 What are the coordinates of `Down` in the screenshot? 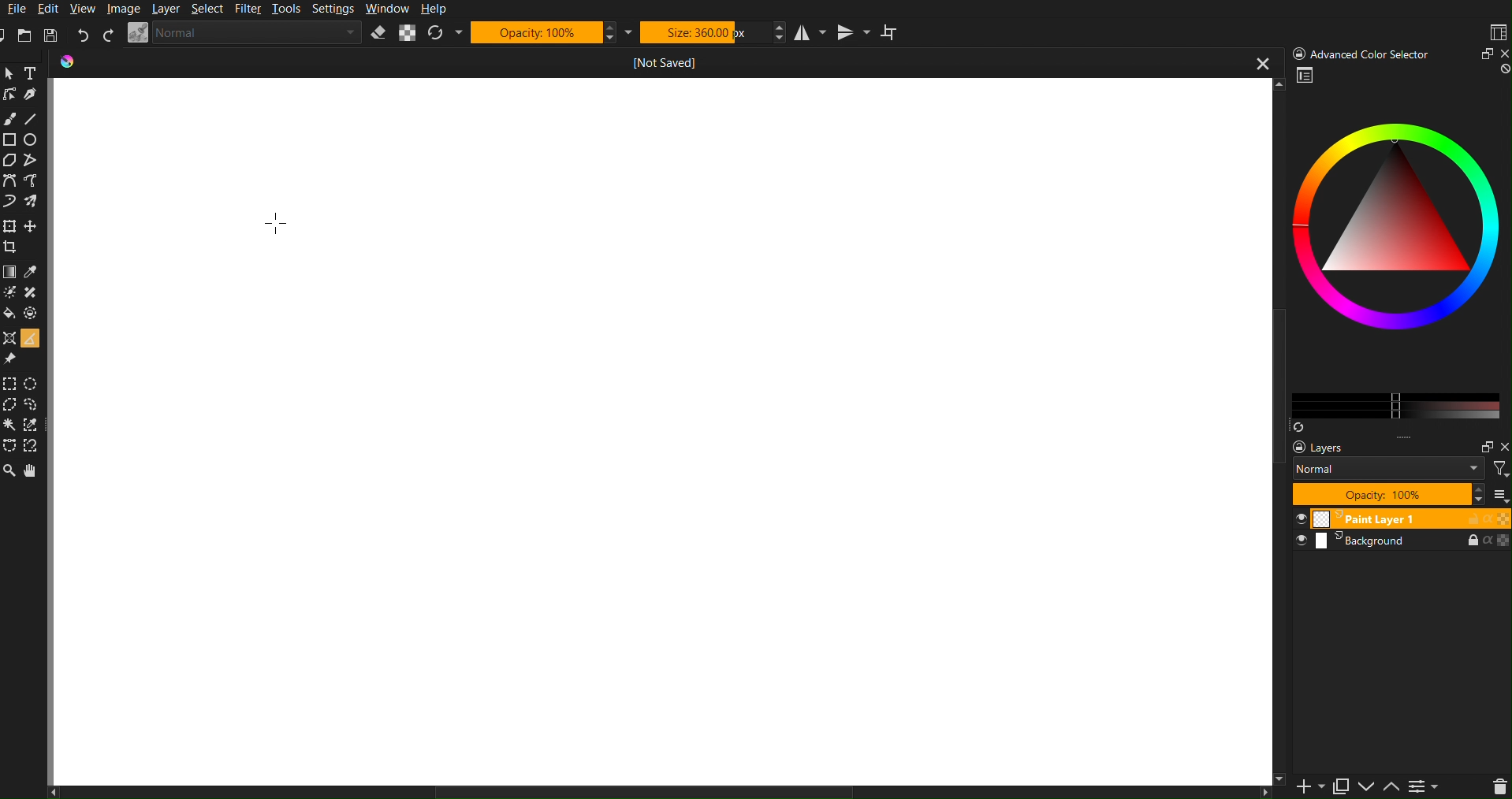 It's located at (1371, 788).